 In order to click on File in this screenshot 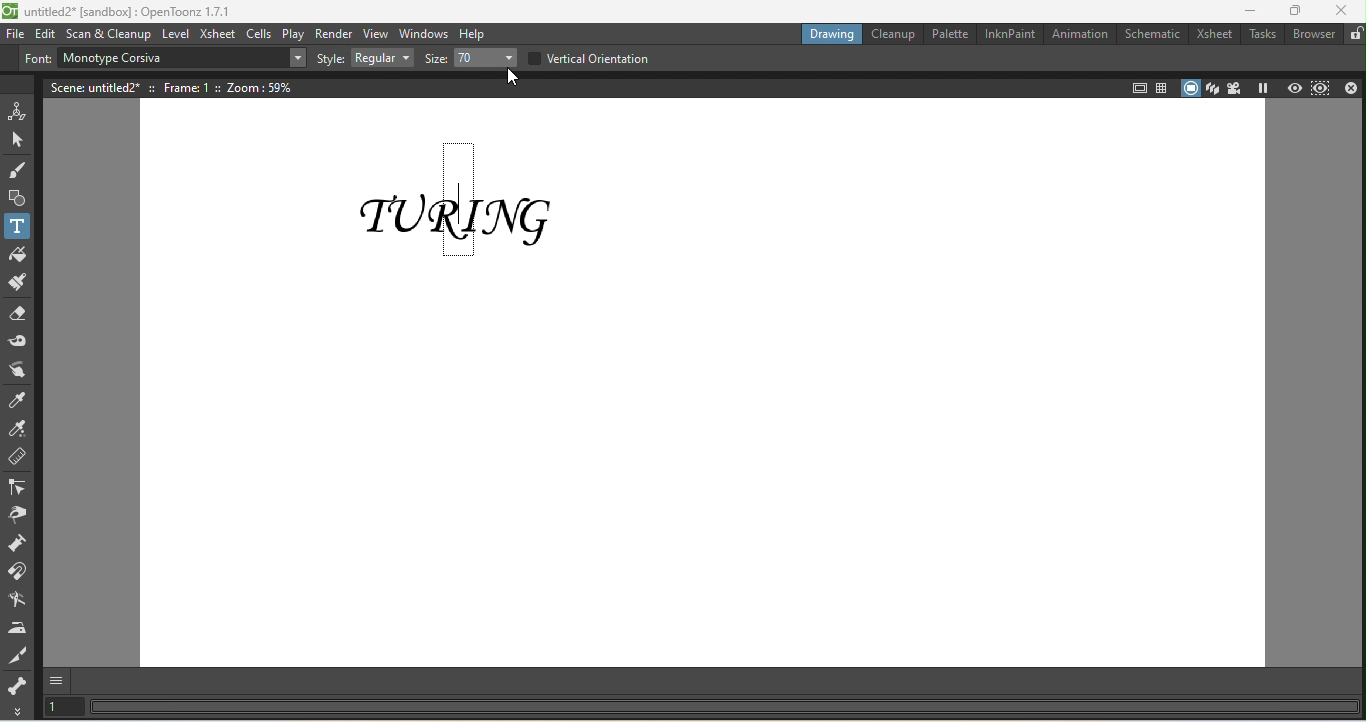, I will do `click(16, 35)`.